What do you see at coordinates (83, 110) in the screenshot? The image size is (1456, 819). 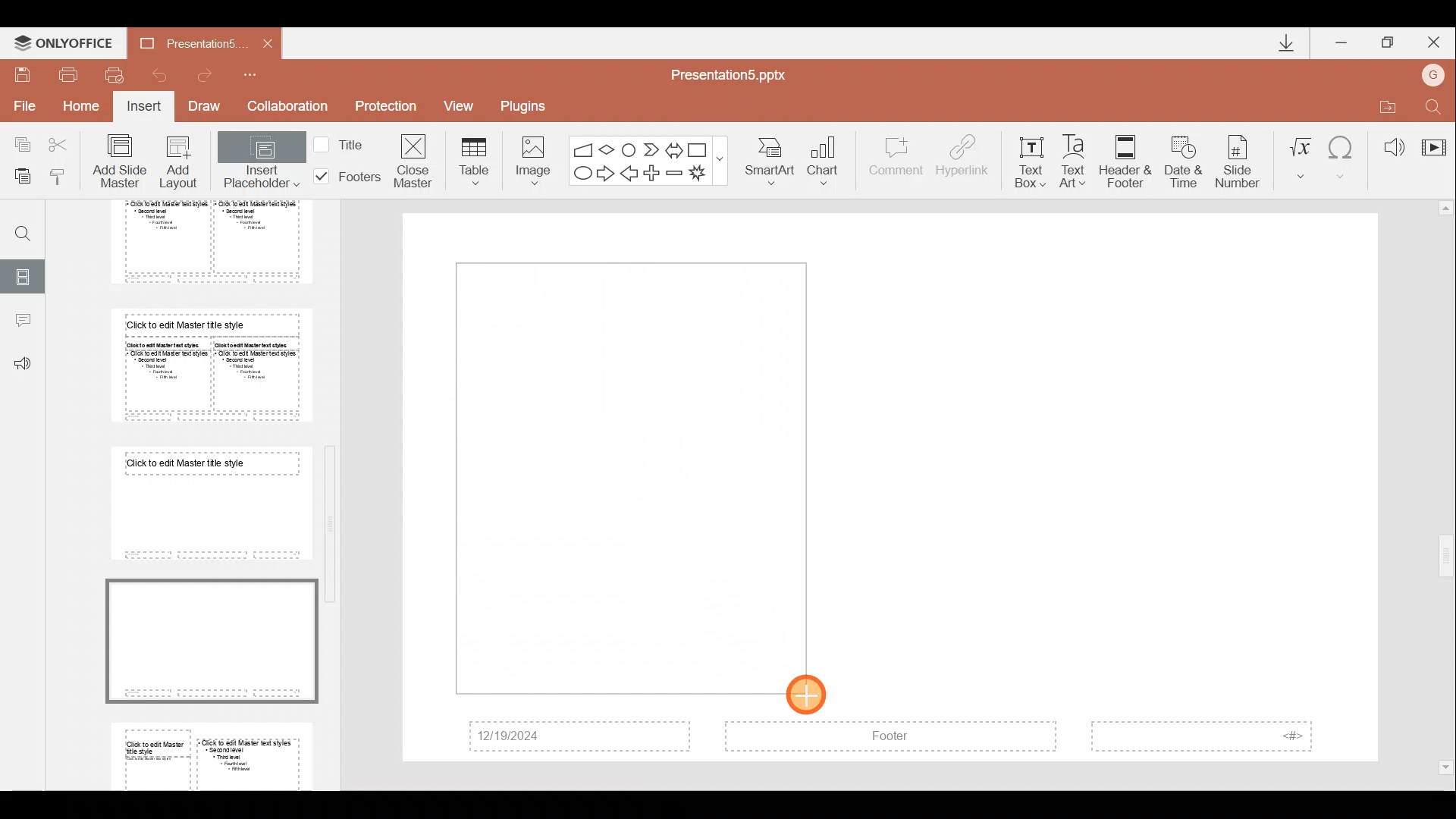 I see `Home` at bounding box center [83, 110].